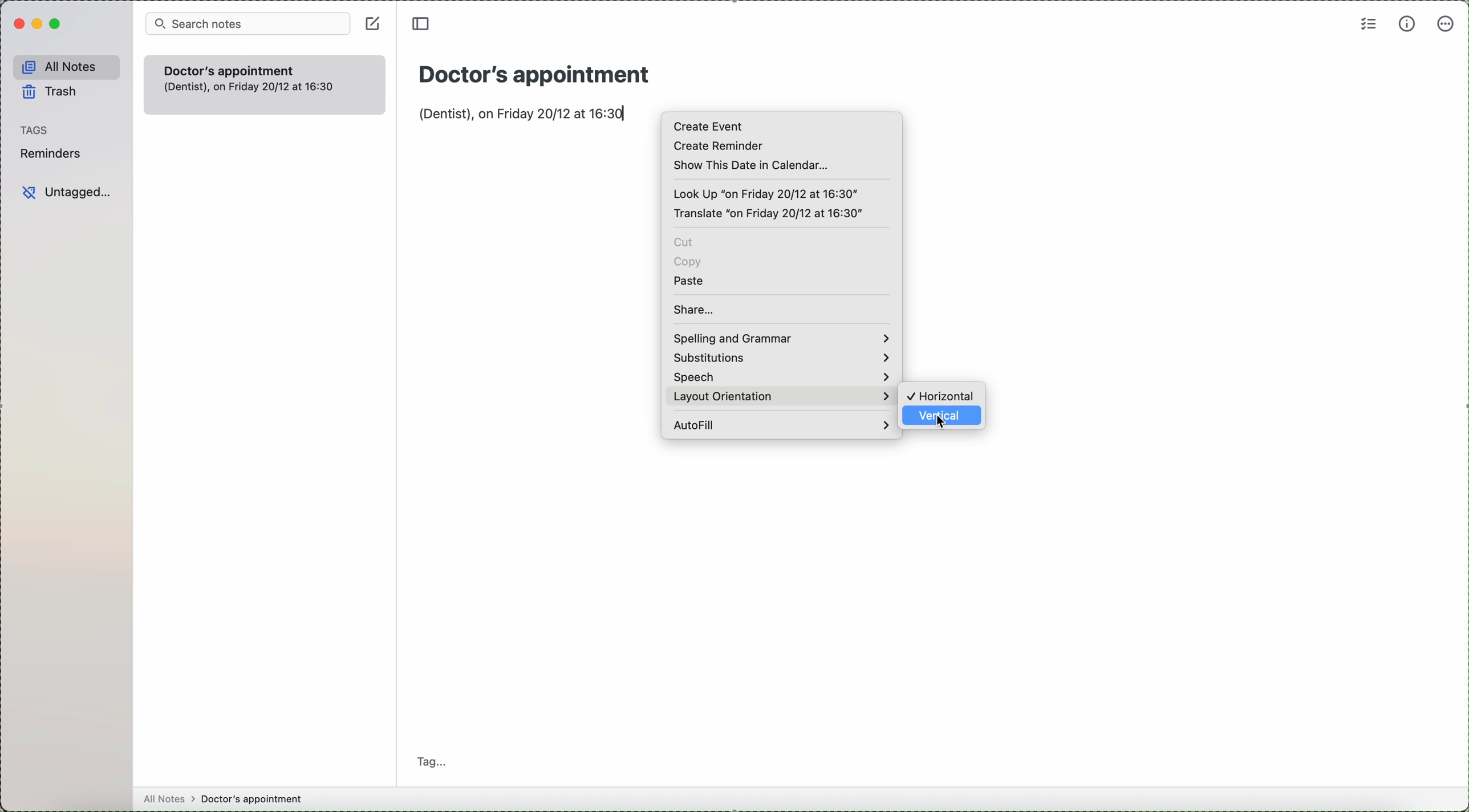 The height and width of the screenshot is (812, 1469). What do you see at coordinates (223, 798) in the screenshot?
I see `all notes > doctor's appointment` at bounding box center [223, 798].